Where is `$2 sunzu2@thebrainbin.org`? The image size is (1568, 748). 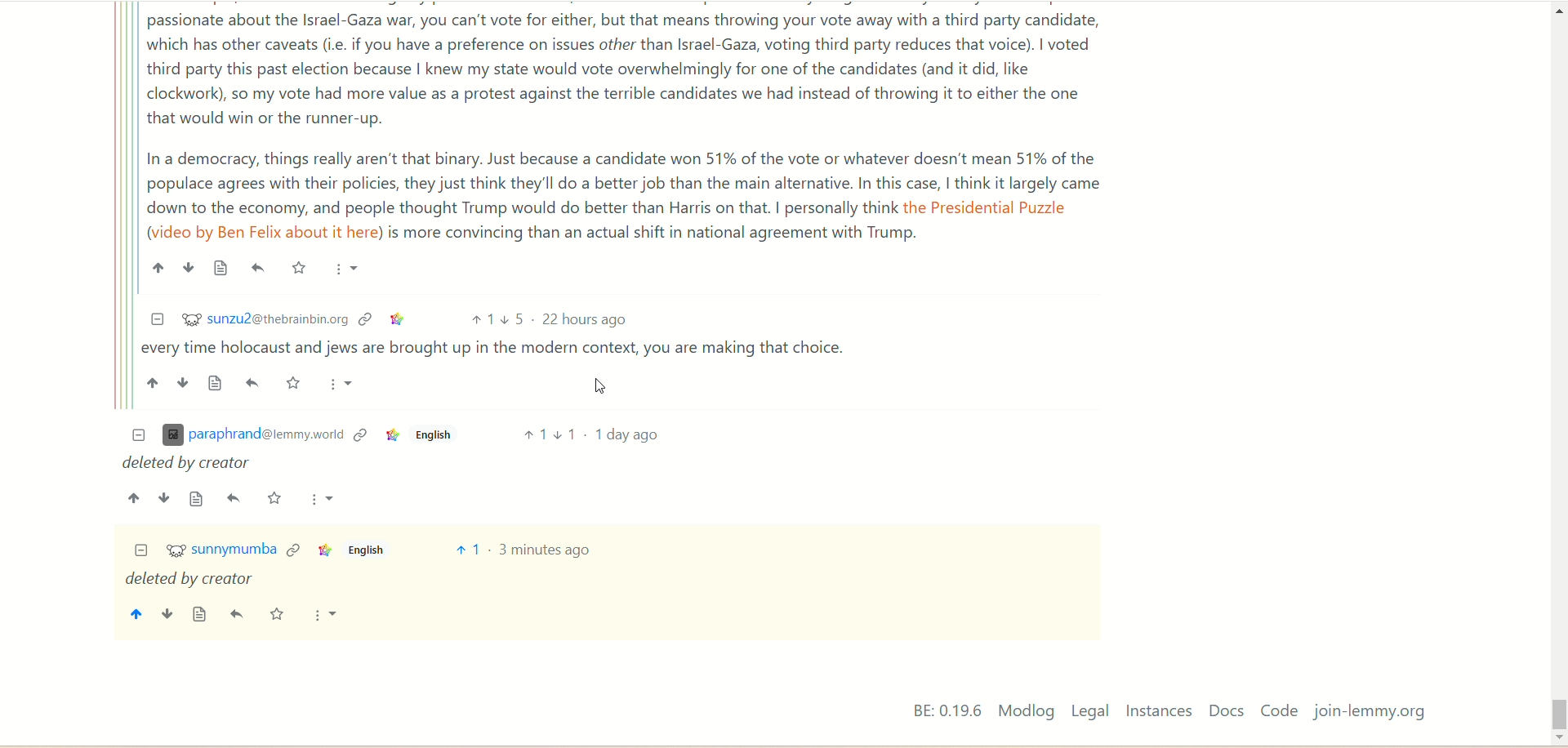 $2 sunzu2@thebrainbin.org is located at coordinates (265, 318).